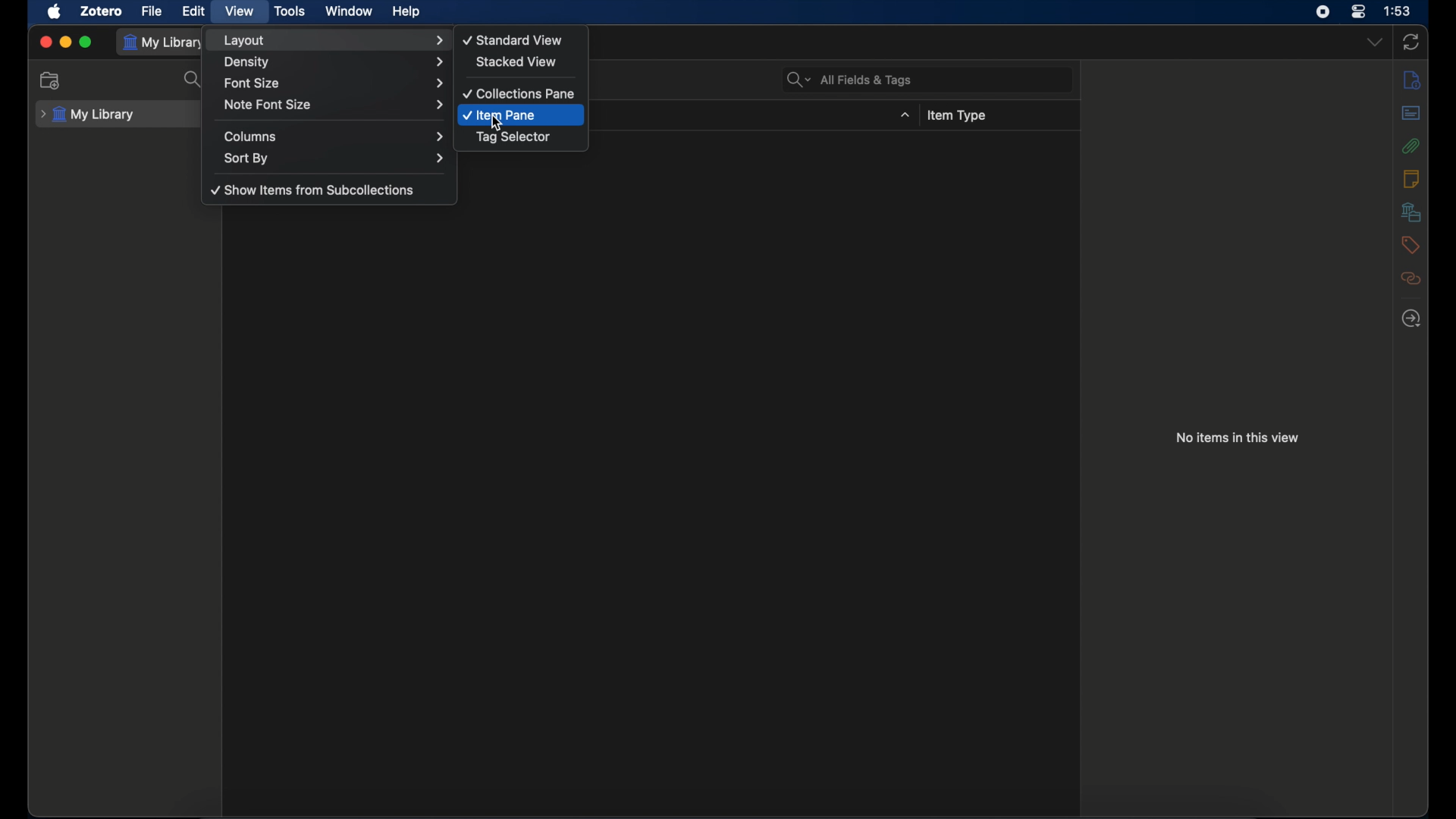 The width and height of the screenshot is (1456, 819). I want to click on zotero, so click(102, 11).